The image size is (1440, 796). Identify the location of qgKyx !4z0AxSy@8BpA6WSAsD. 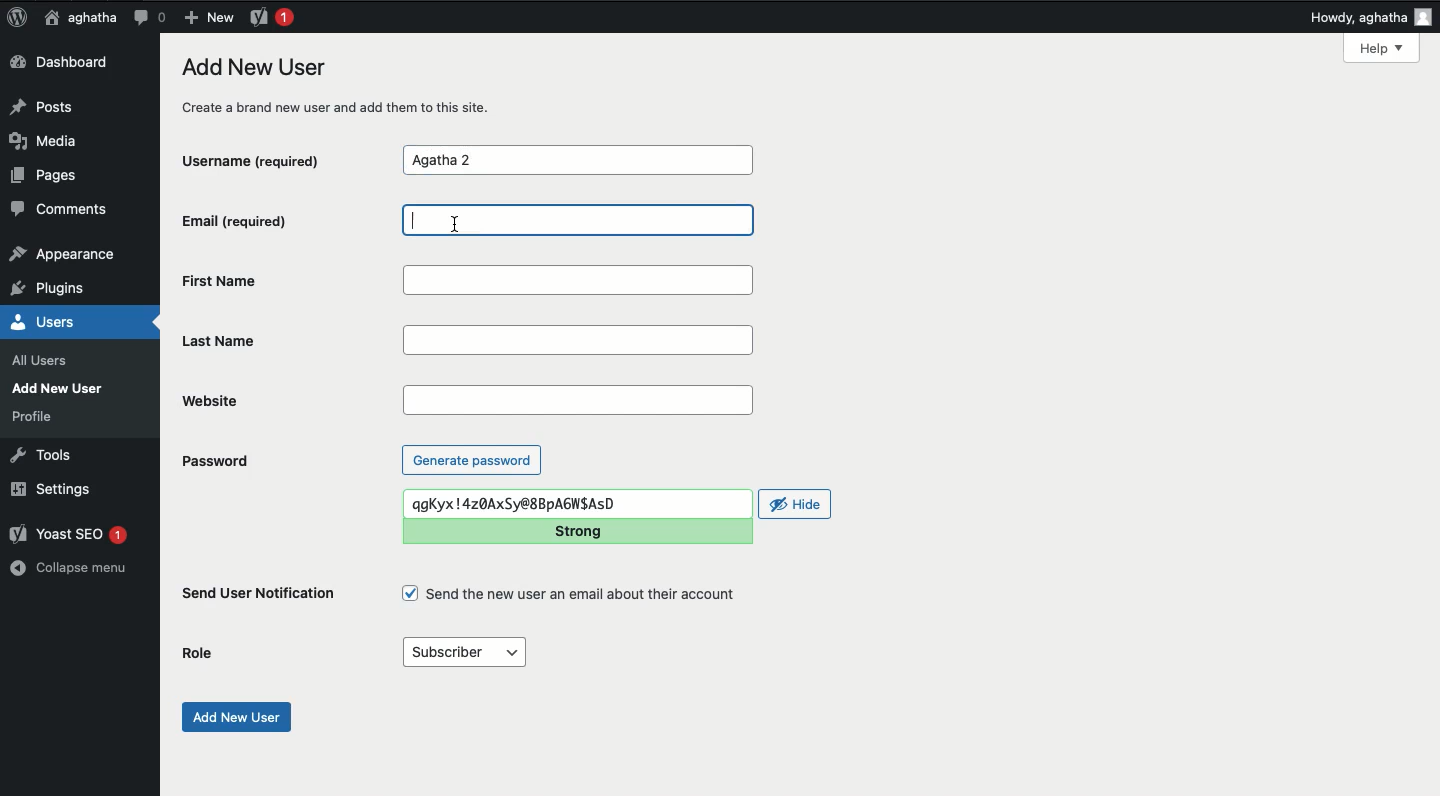
(579, 504).